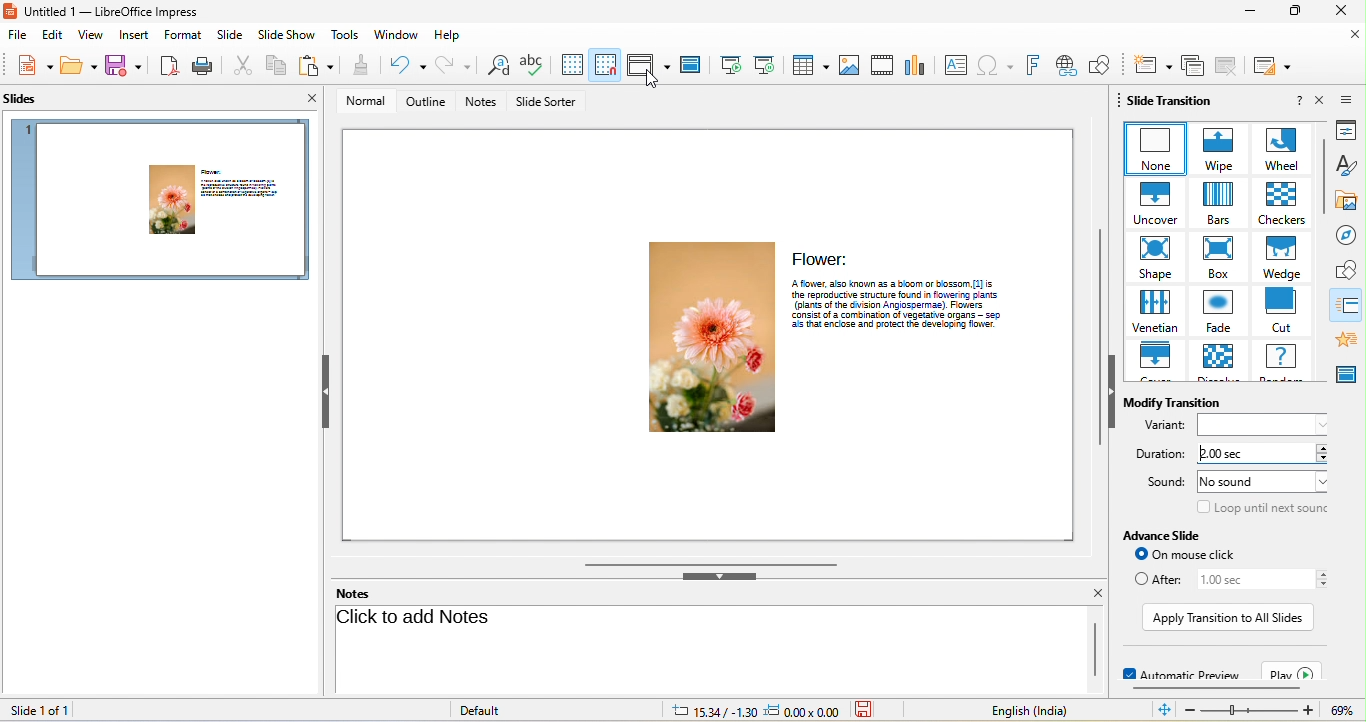 Image resolution: width=1366 pixels, height=722 pixels. Describe the element at coordinates (866, 711) in the screenshot. I see `the document has not been modified since the last save` at that location.